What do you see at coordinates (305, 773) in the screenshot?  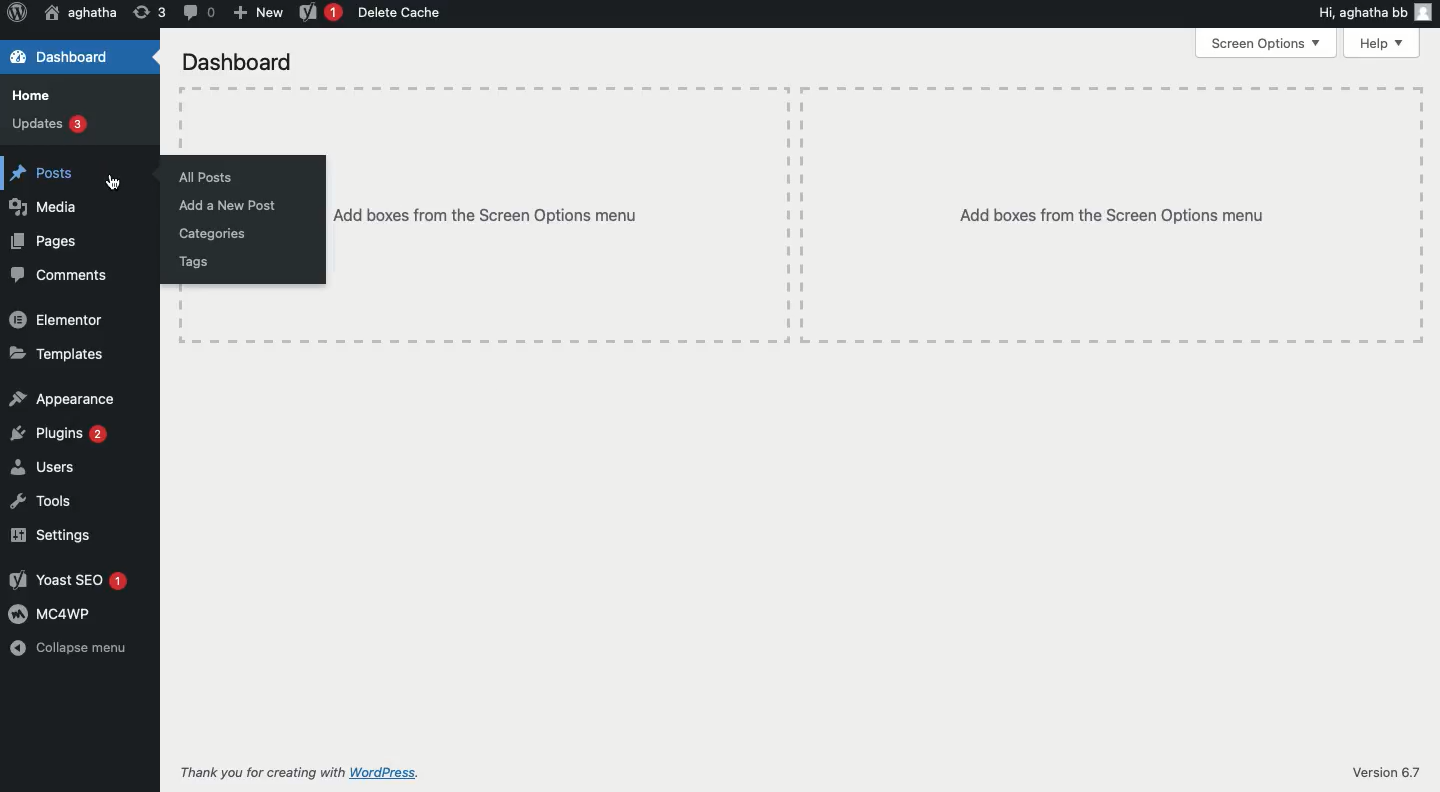 I see `Thank you for creating with wordpress` at bounding box center [305, 773].